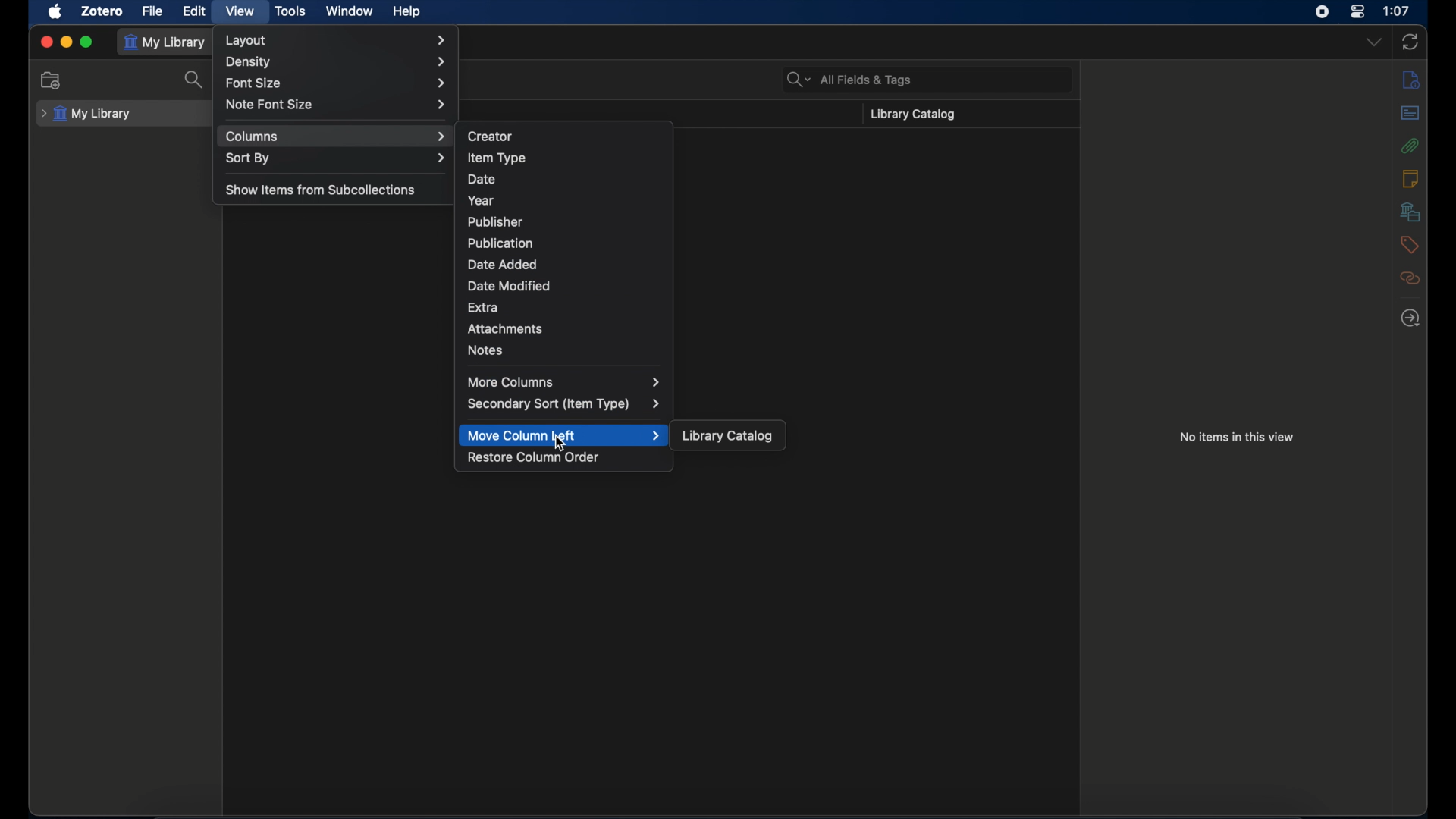 Image resolution: width=1456 pixels, height=819 pixels. I want to click on related, so click(1410, 278).